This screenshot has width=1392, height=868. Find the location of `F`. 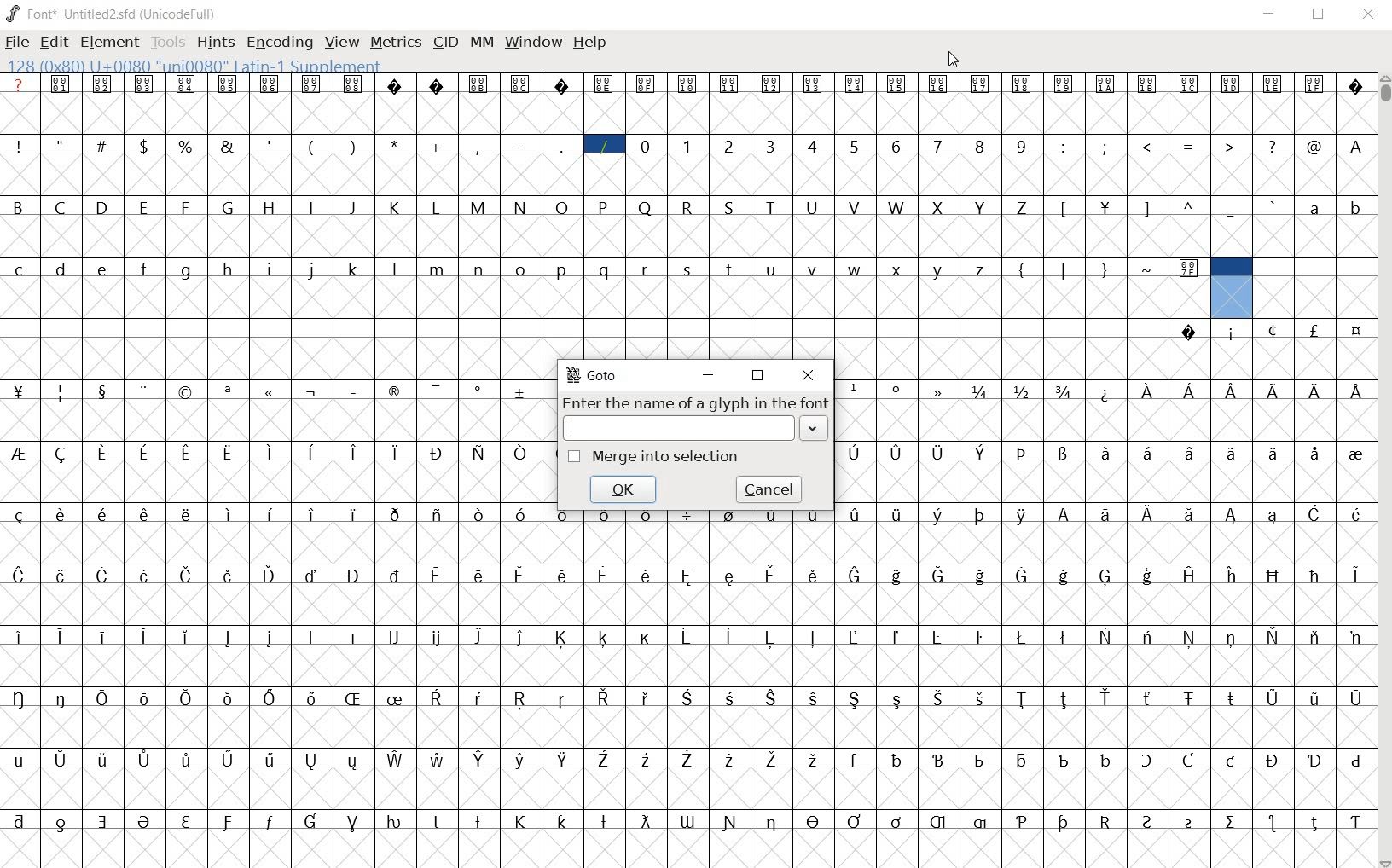

F is located at coordinates (188, 206).